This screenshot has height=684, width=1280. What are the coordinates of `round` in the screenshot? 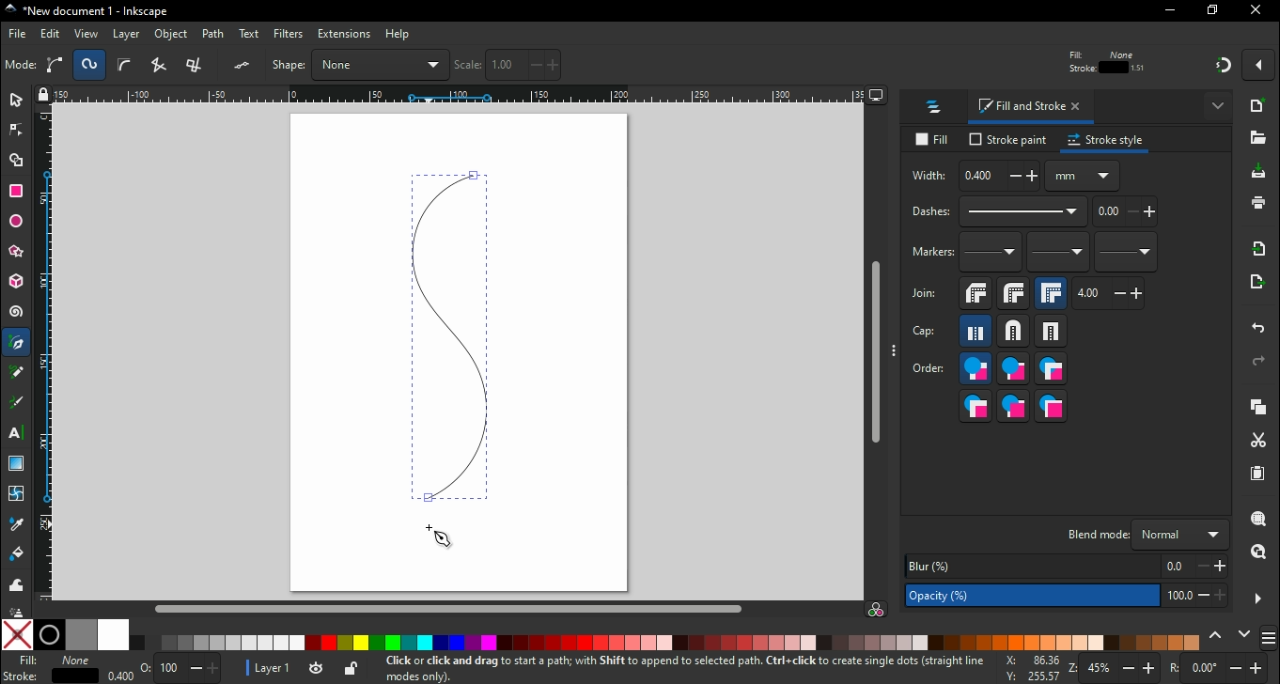 It's located at (1009, 334).